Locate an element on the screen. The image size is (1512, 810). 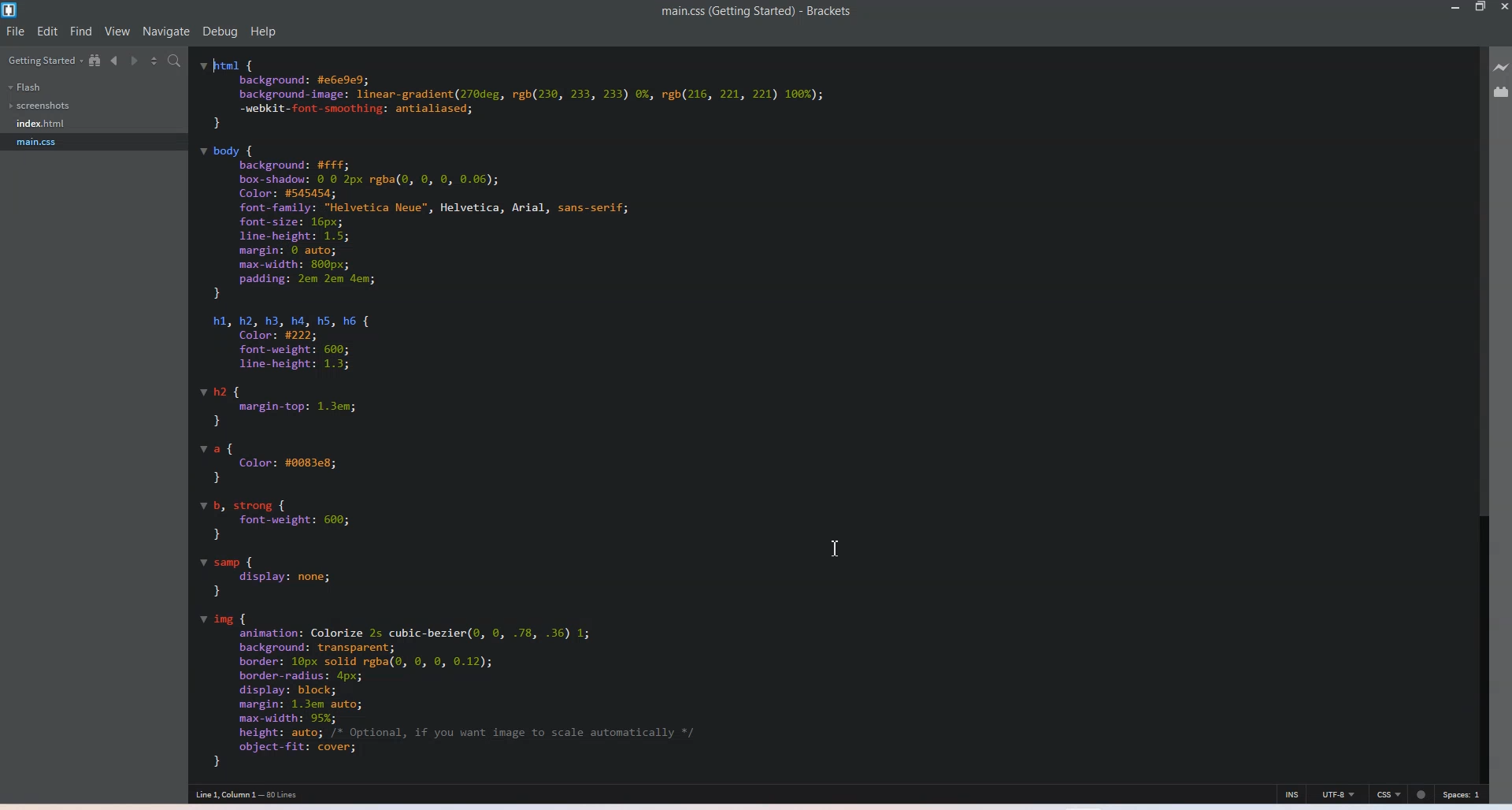
Close is located at coordinates (1503, 8).